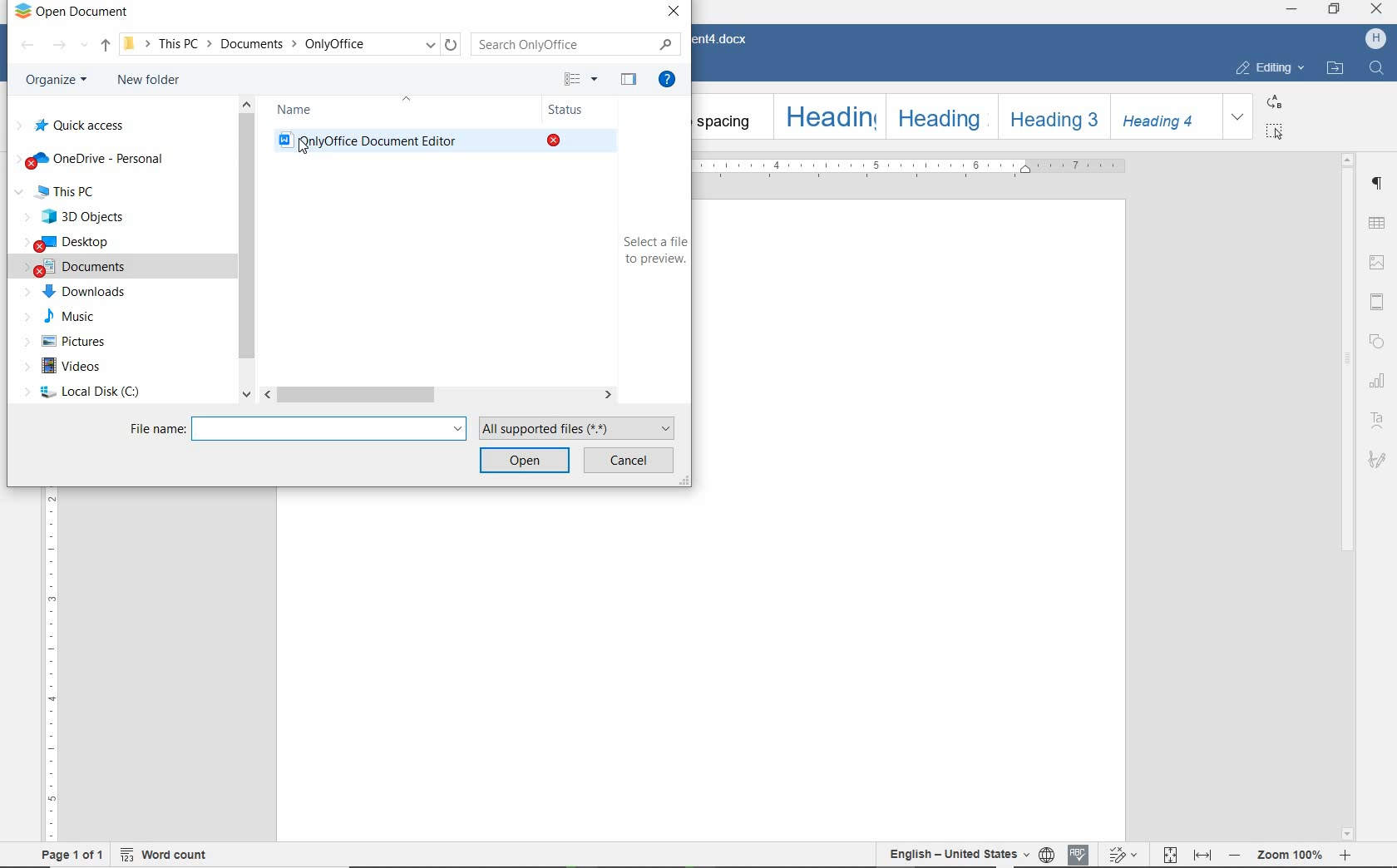 The height and width of the screenshot is (868, 1397). Describe the element at coordinates (1291, 8) in the screenshot. I see `minimize` at that location.